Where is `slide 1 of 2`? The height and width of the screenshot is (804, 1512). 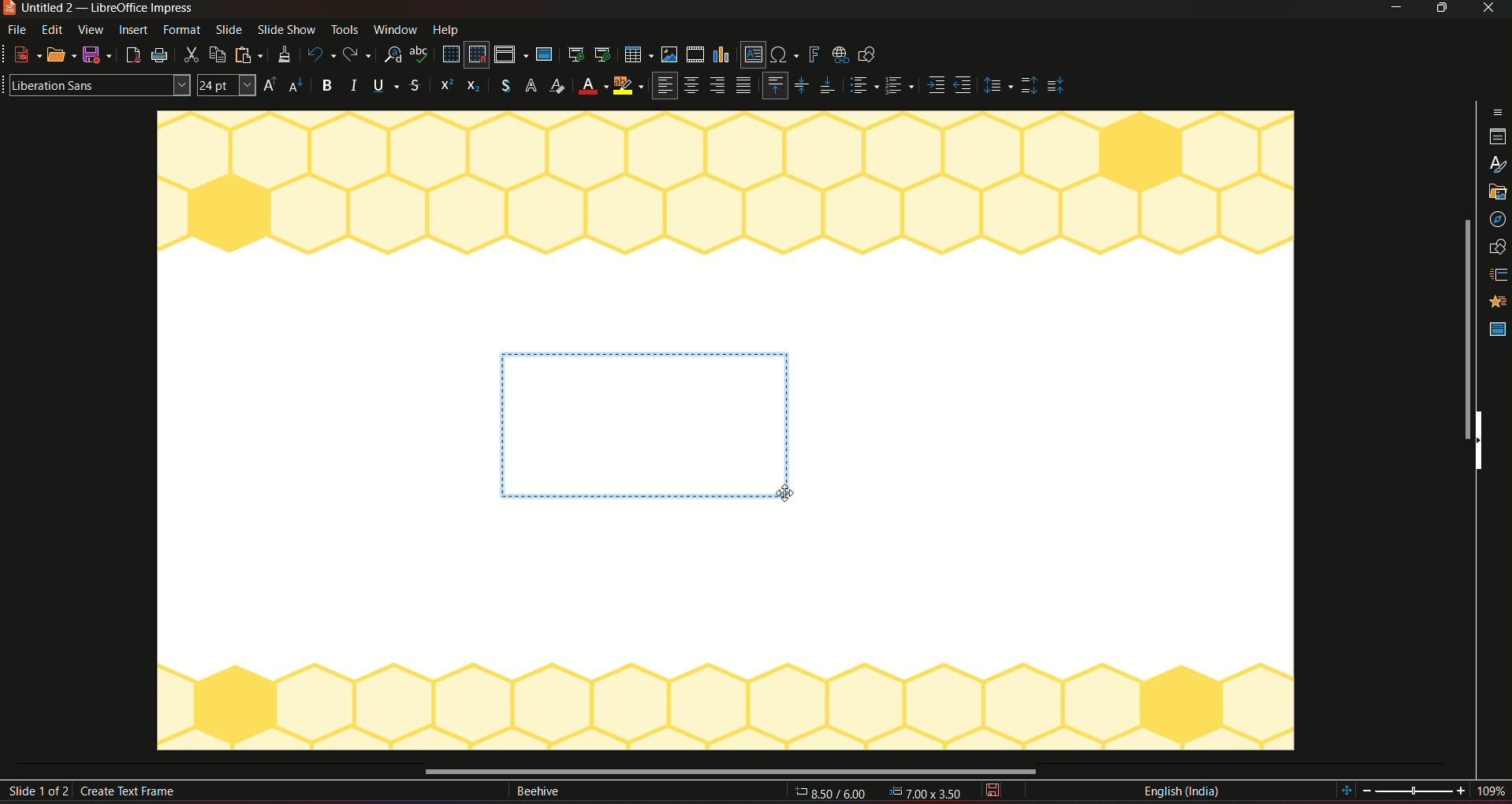
slide 1 of 2 is located at coordinates (40, 792).